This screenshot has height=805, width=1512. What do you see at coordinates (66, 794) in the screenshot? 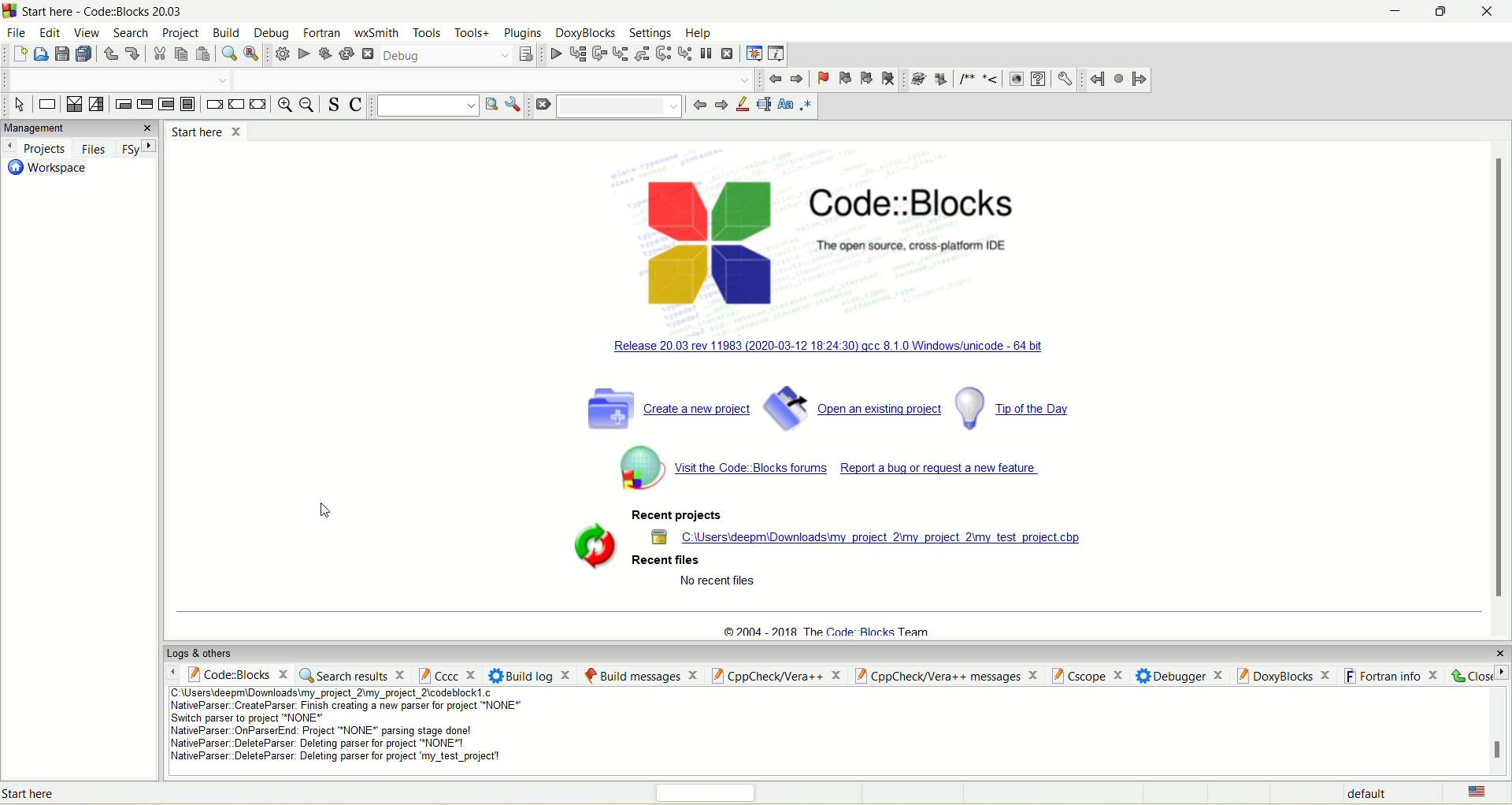
I see `text` at bounding box center [66, 794].